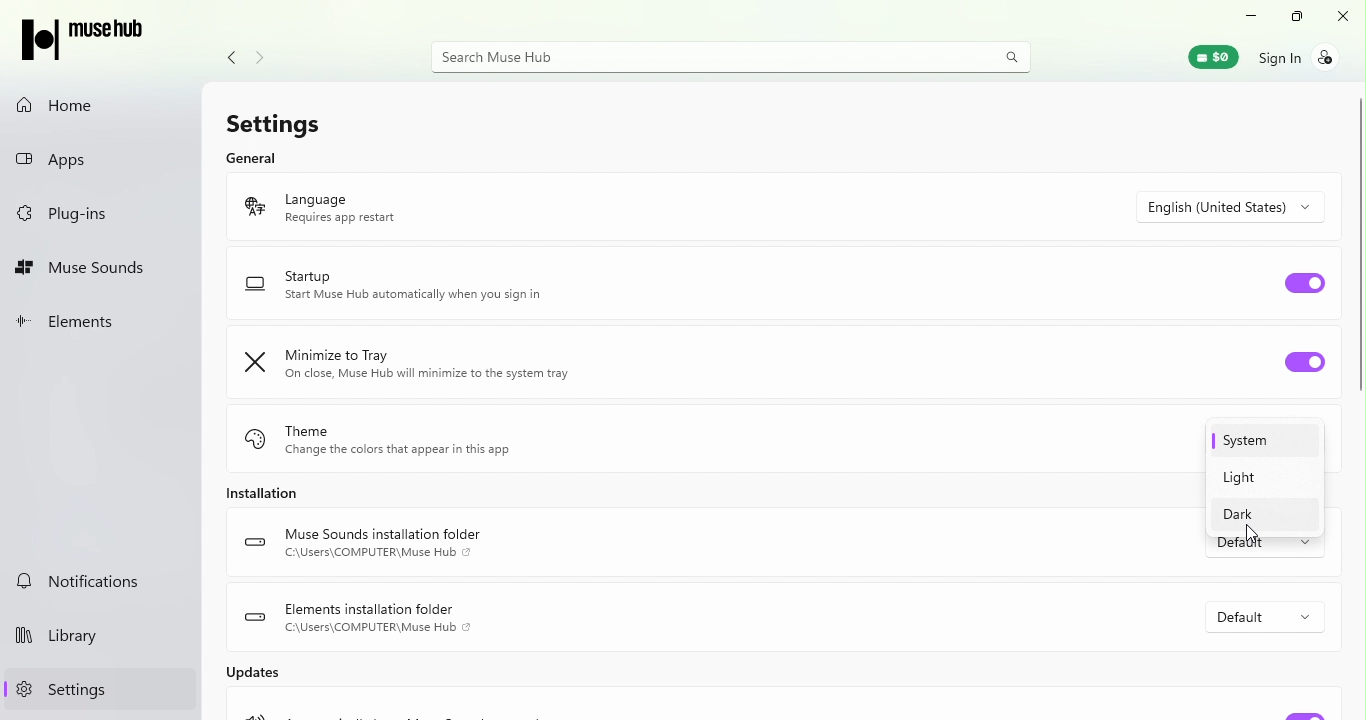  I want to click on Settings, so click(66, 688).